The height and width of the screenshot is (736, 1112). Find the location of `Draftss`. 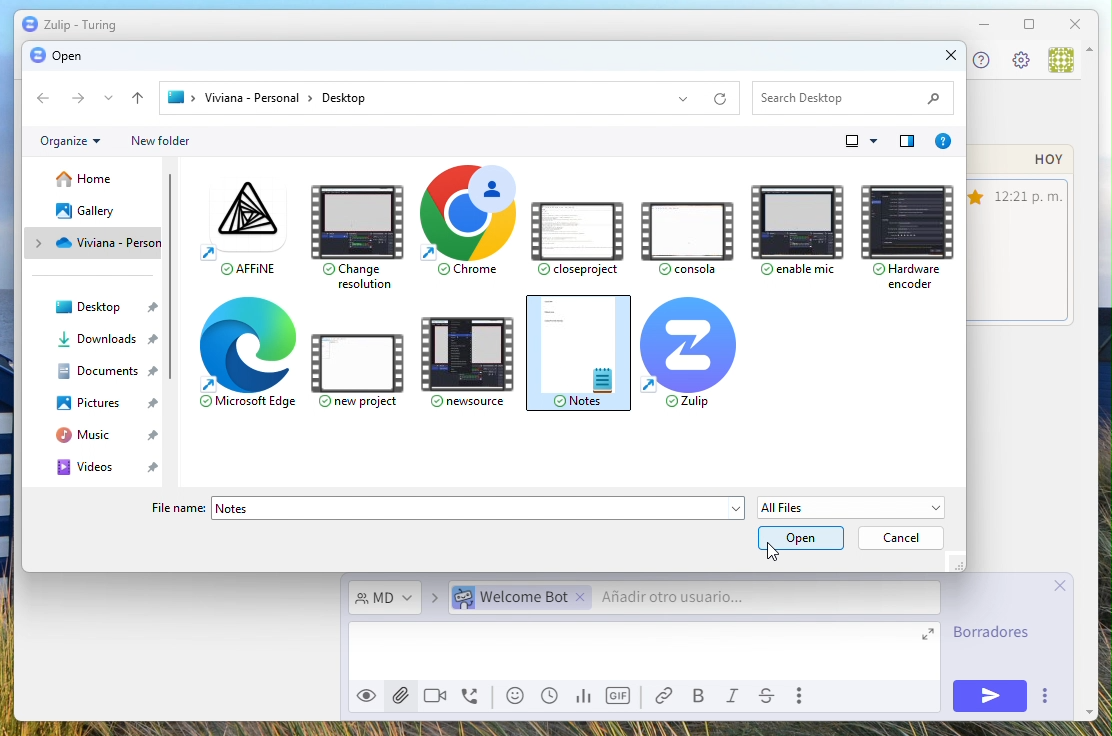

Draftss is located at coordinates (997, 635).